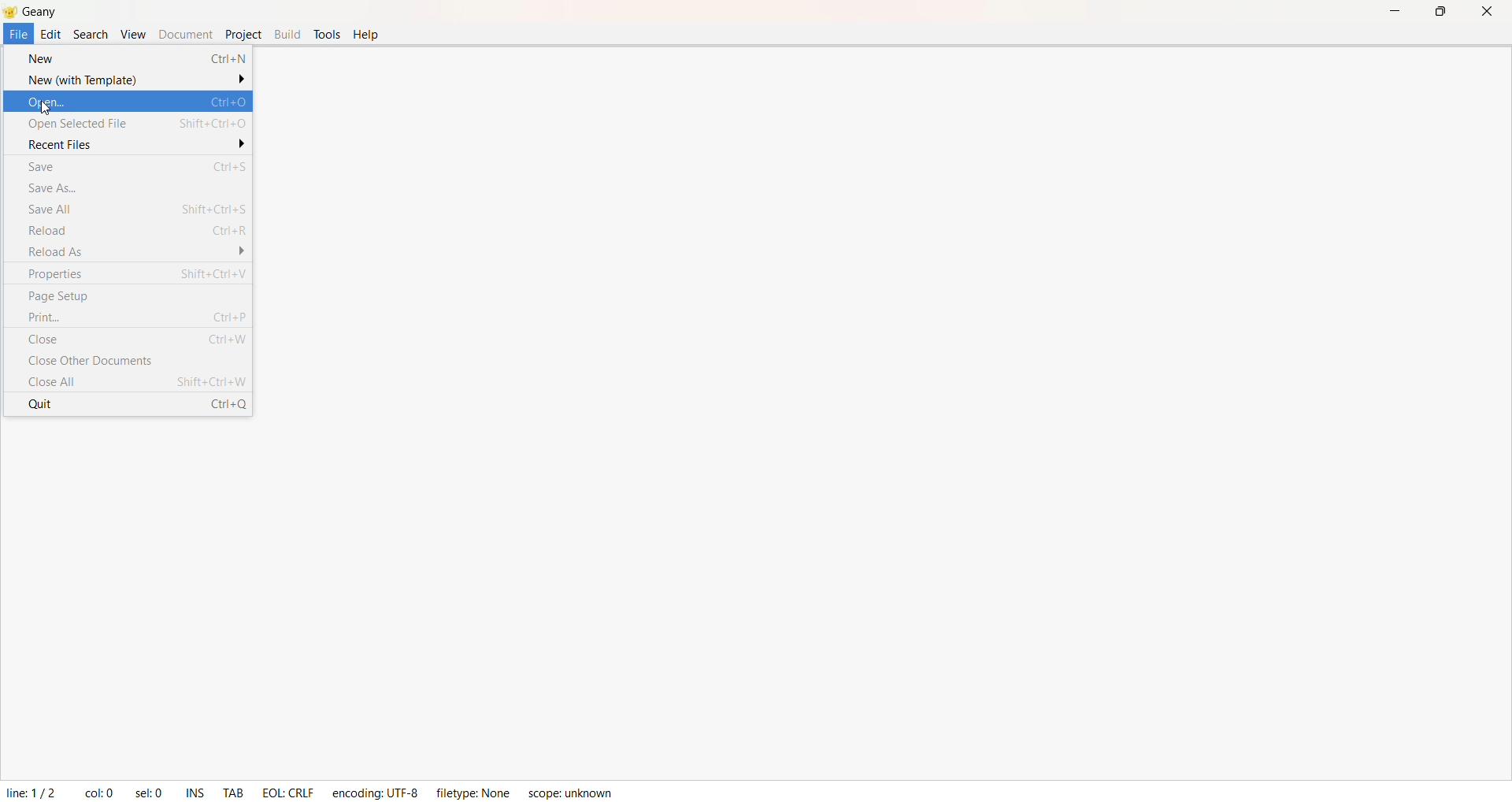 This screenshot has width=1512, height=802. Describe the element at coordinates (287, 35) in the screenshot. I see `Build` at that location.